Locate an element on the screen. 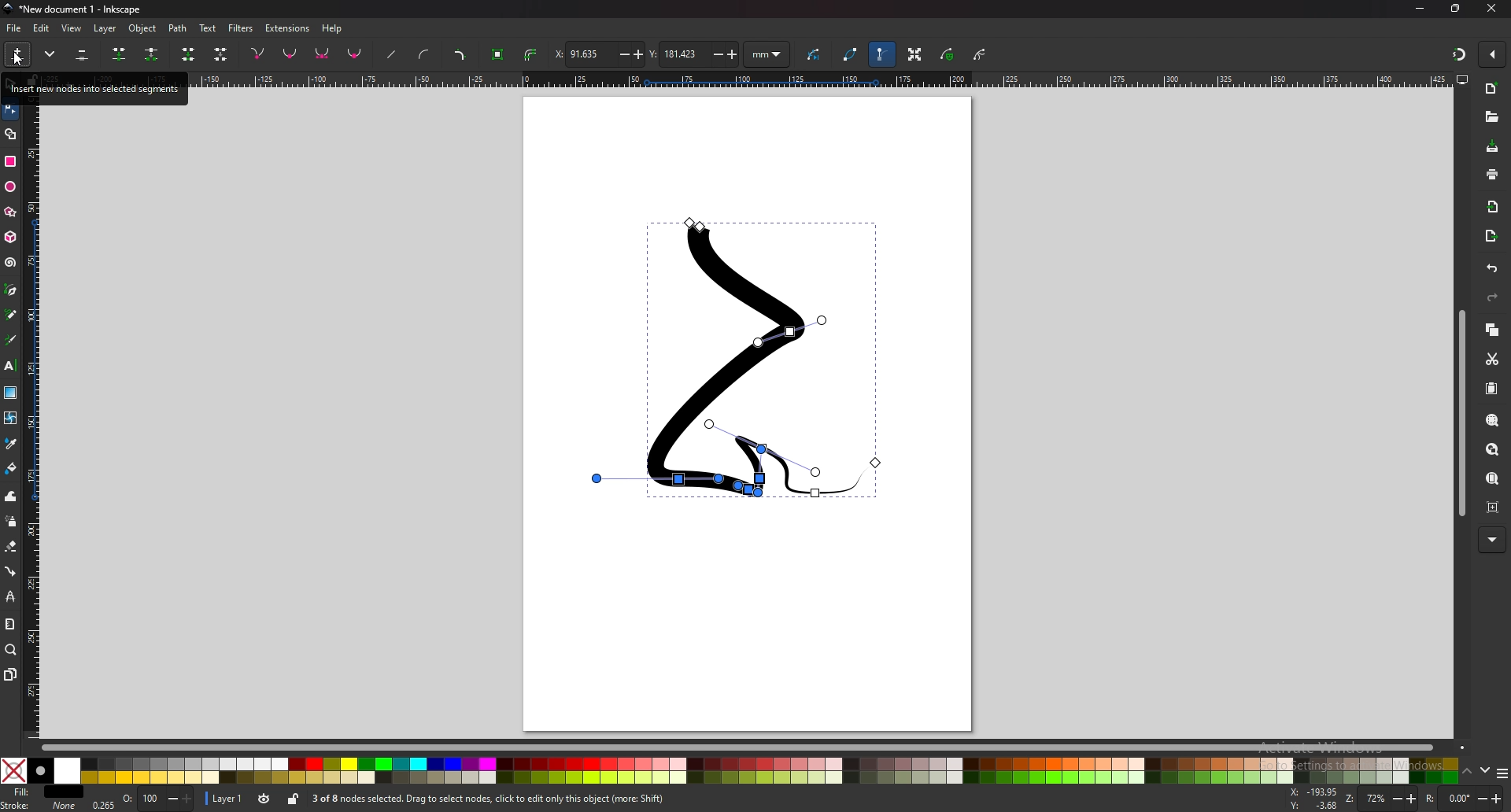 This screenshot has height=812, width=1511. pen is located at coordinates (12, 289).